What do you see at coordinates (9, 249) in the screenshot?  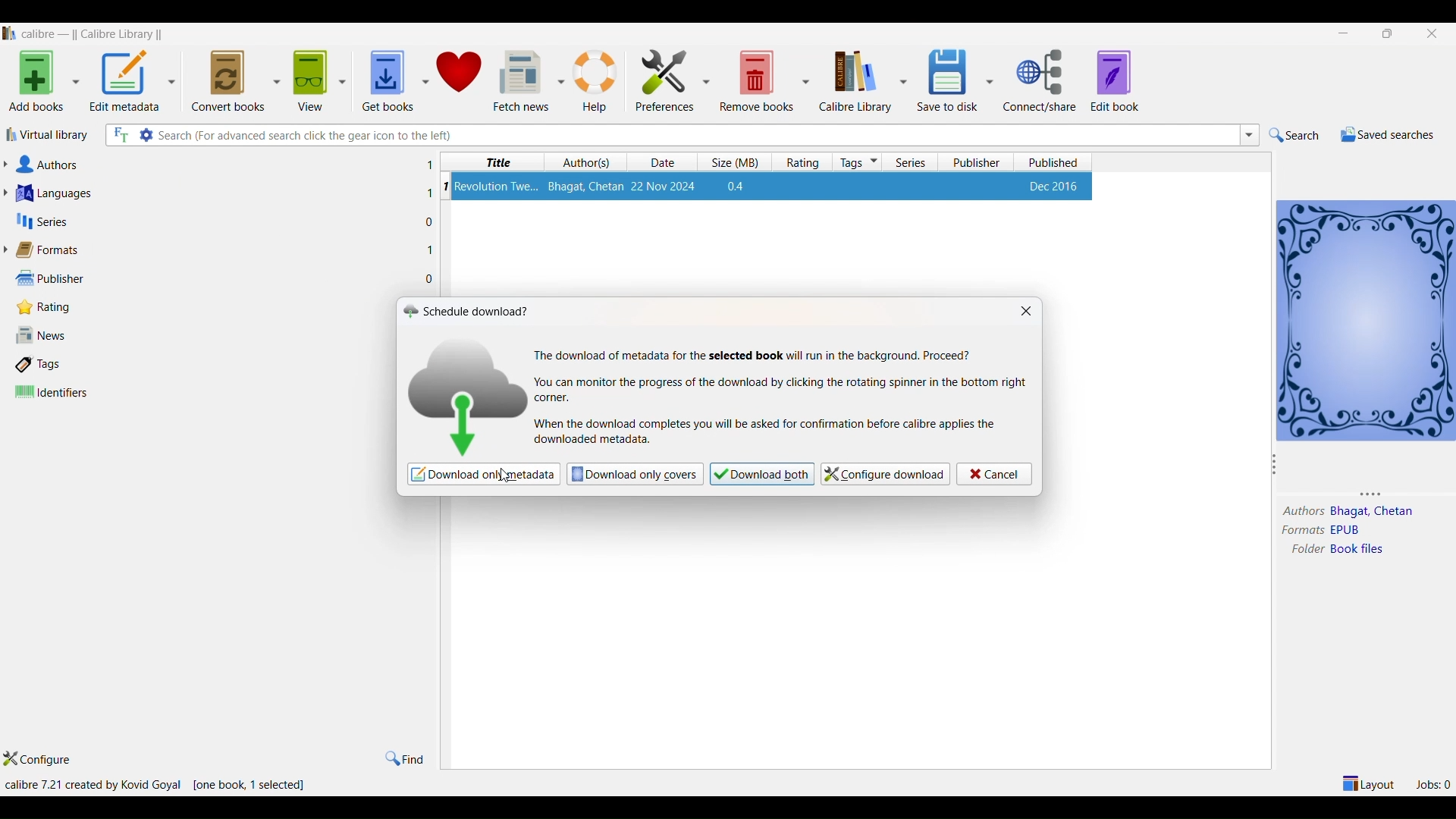 I see `format lists dropdown button` at bounding box center [9, 249].